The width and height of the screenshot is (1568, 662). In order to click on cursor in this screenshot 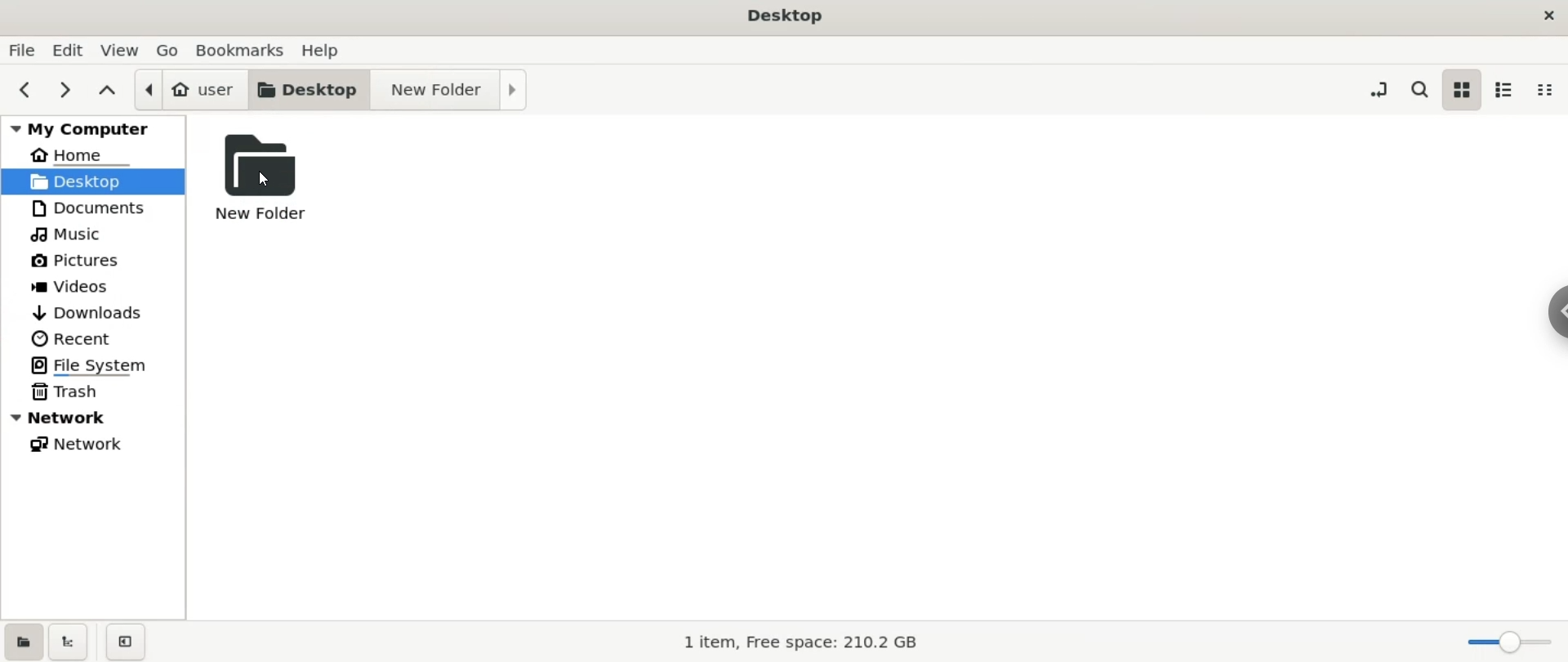, I will do `click(266, 180)`.